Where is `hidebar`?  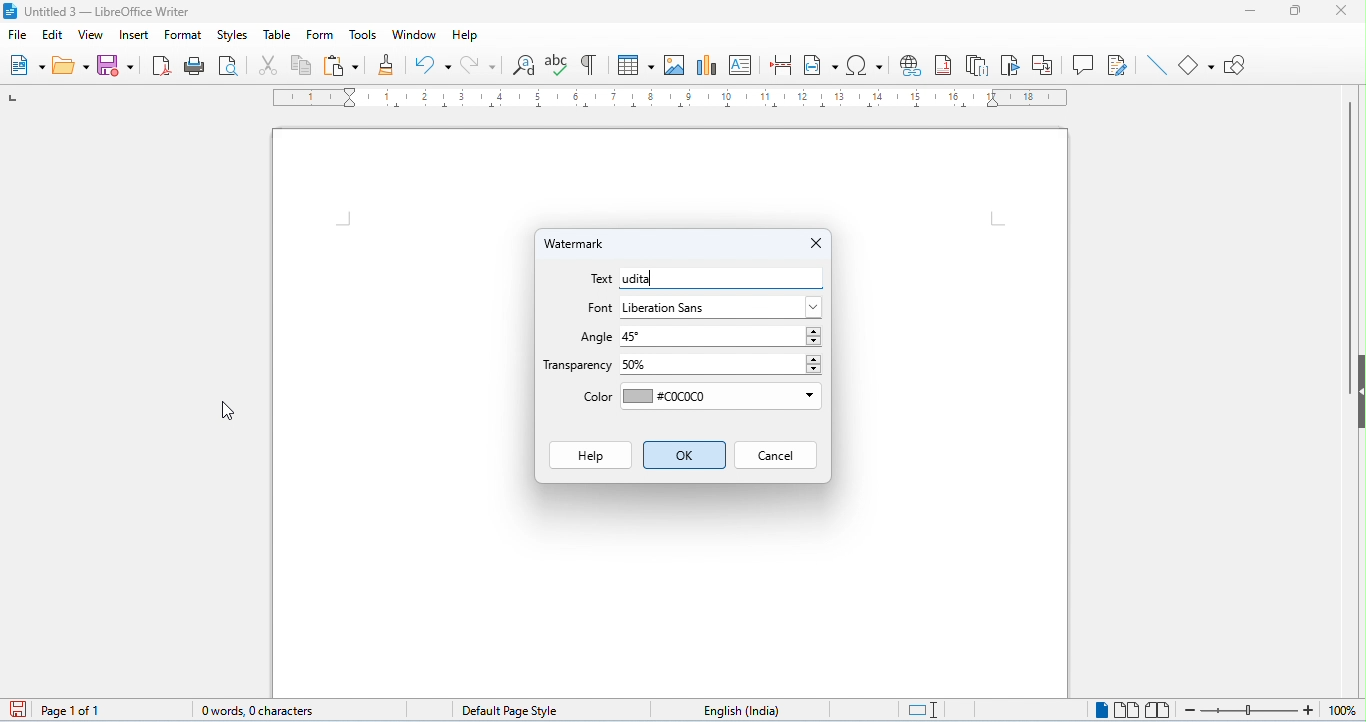
hidebar is located at coordinates (1361, 390).